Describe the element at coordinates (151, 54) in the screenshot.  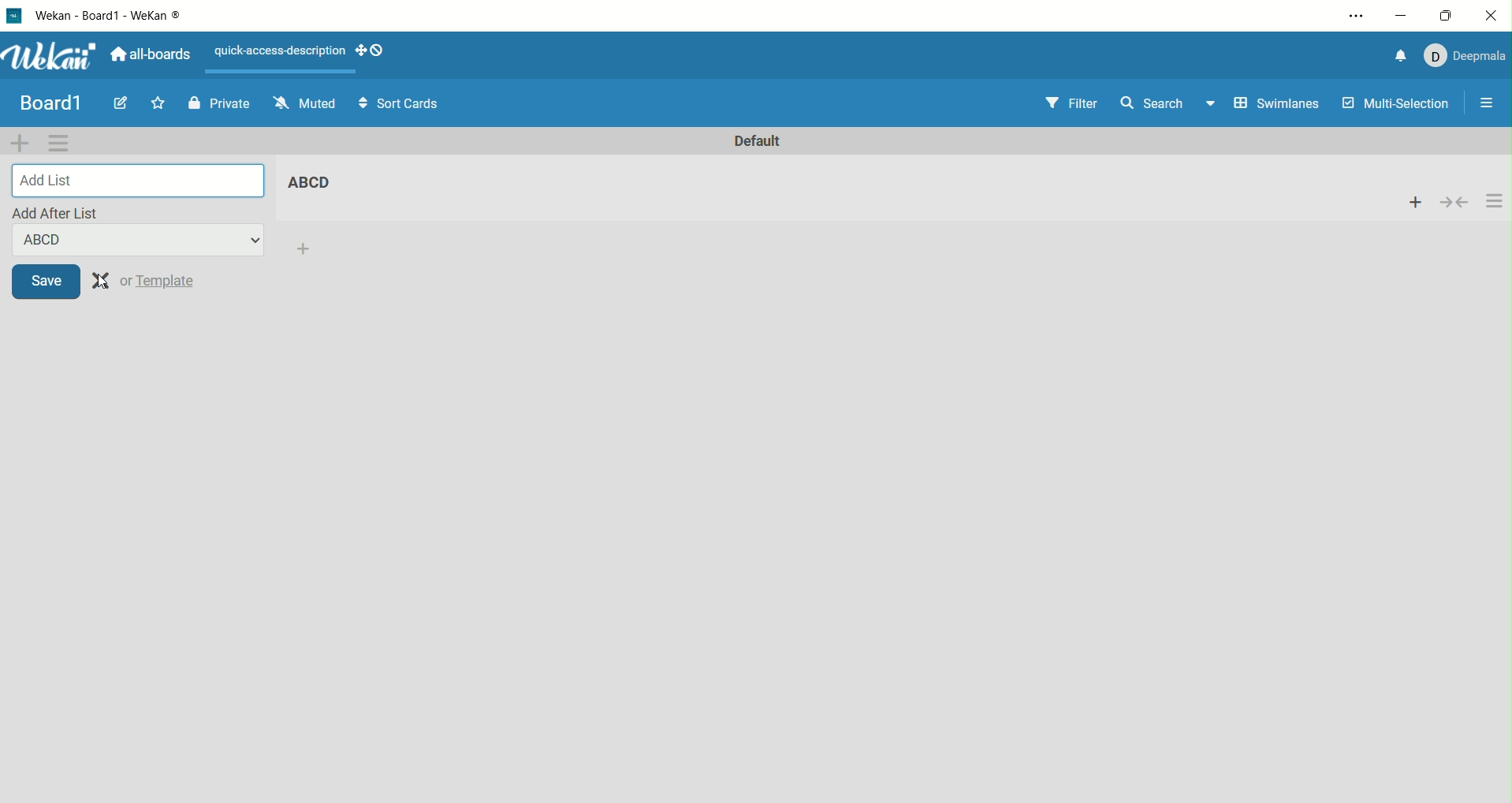
I see `all boards` at that location.